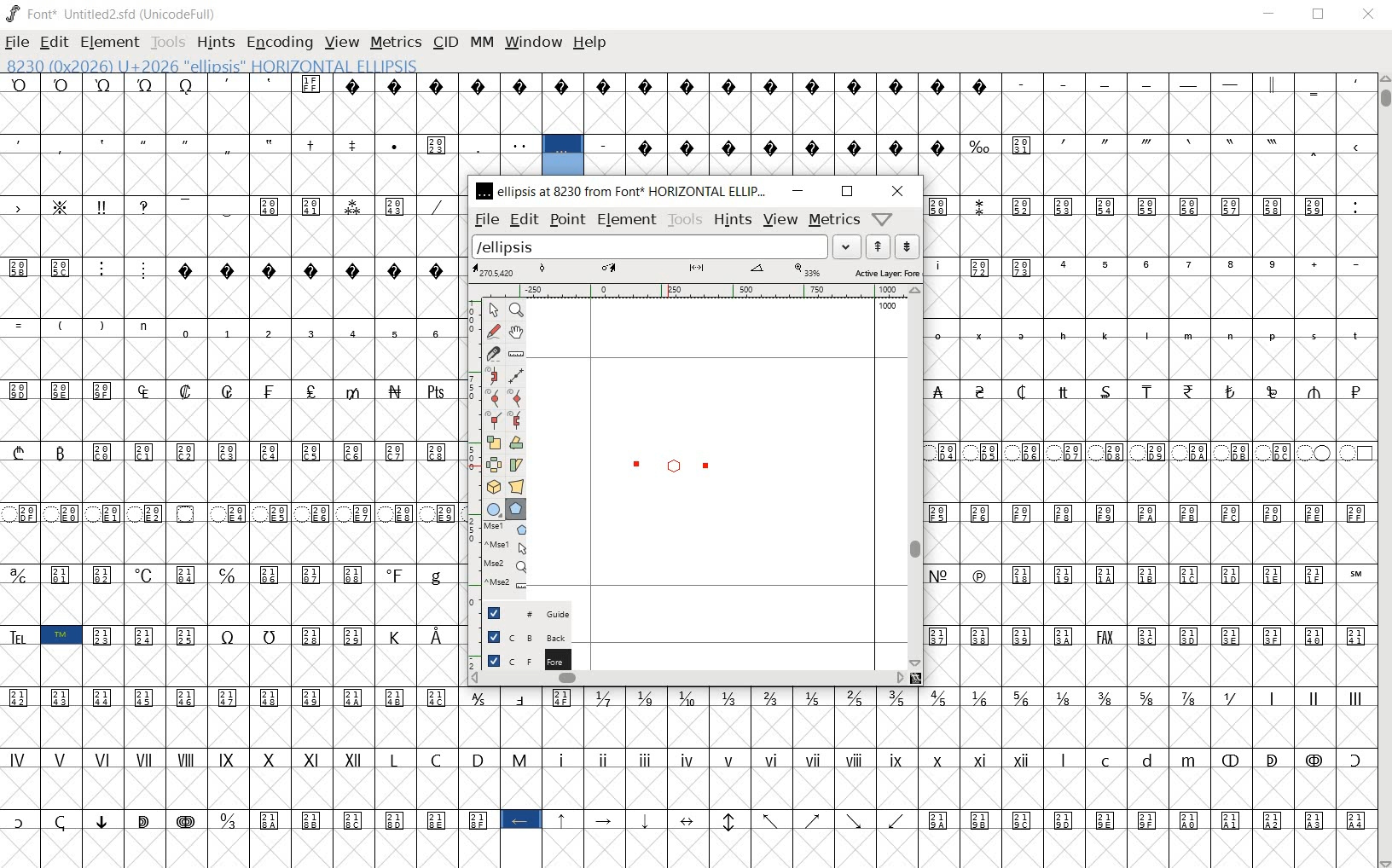 This screenshot has width=1392, height=868. Describe the element at coordinates (686, 219) in the screenshot. I see `tools` at that location.